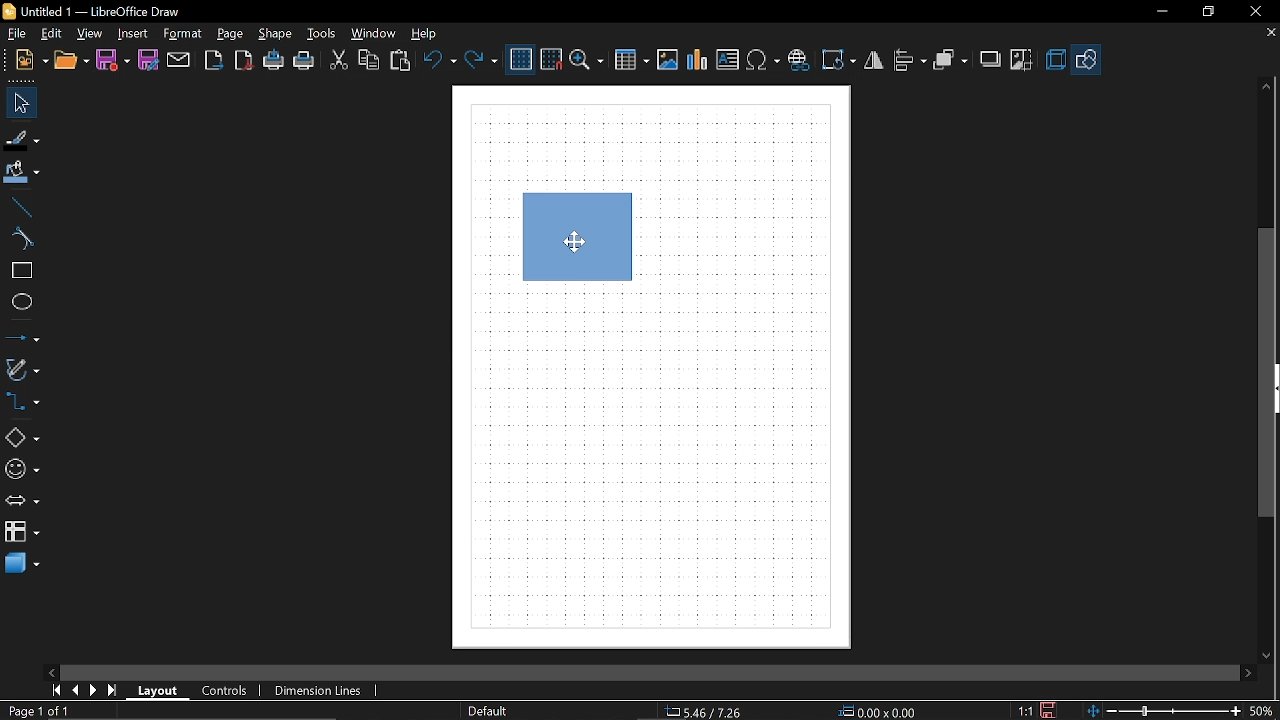  I want to click on Help, so click(431, 33).